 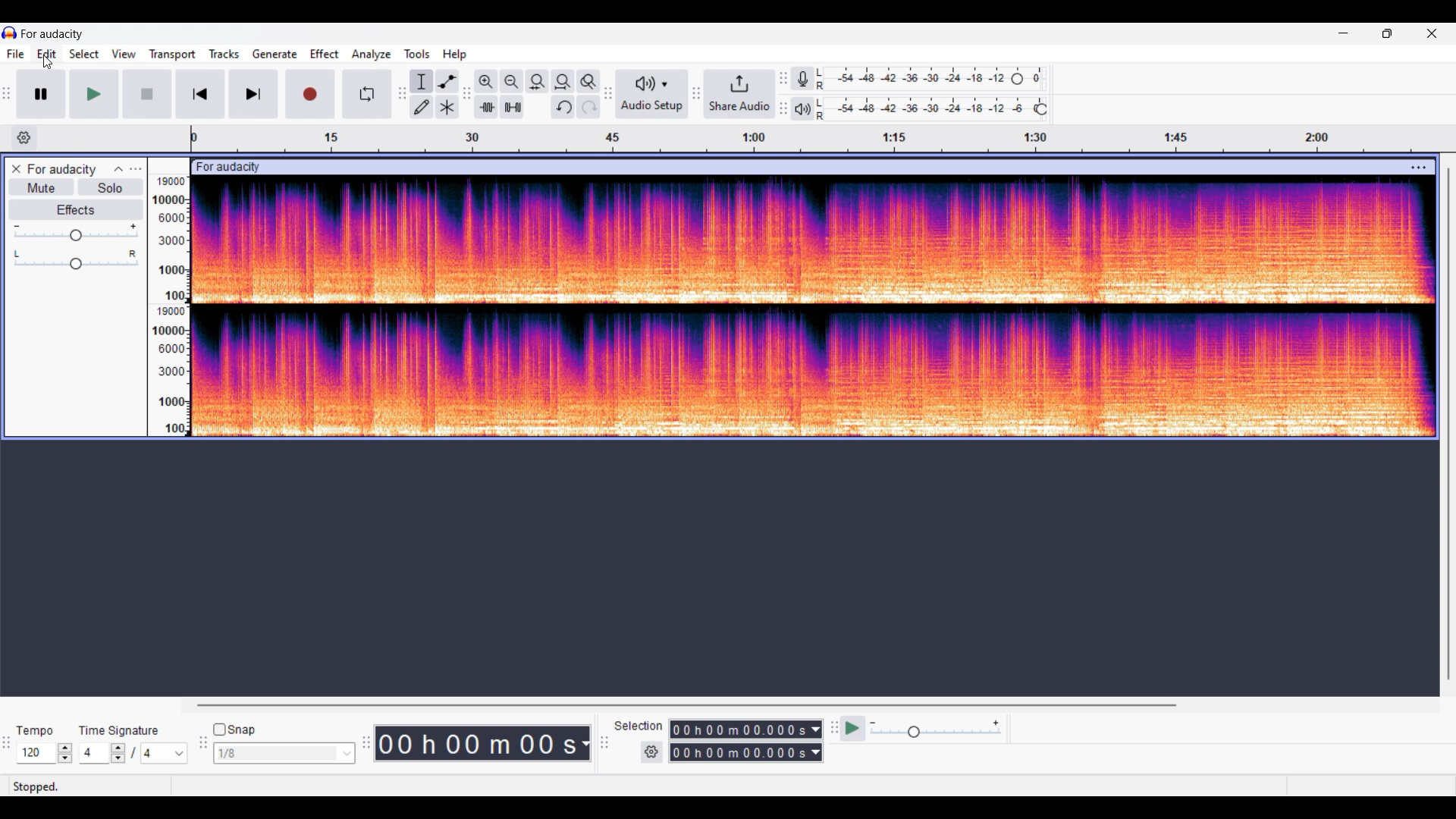 What do you see at coordinates (224, 786) in the screenshot?
I see `Status bar information` at bounding box center [224, 786].